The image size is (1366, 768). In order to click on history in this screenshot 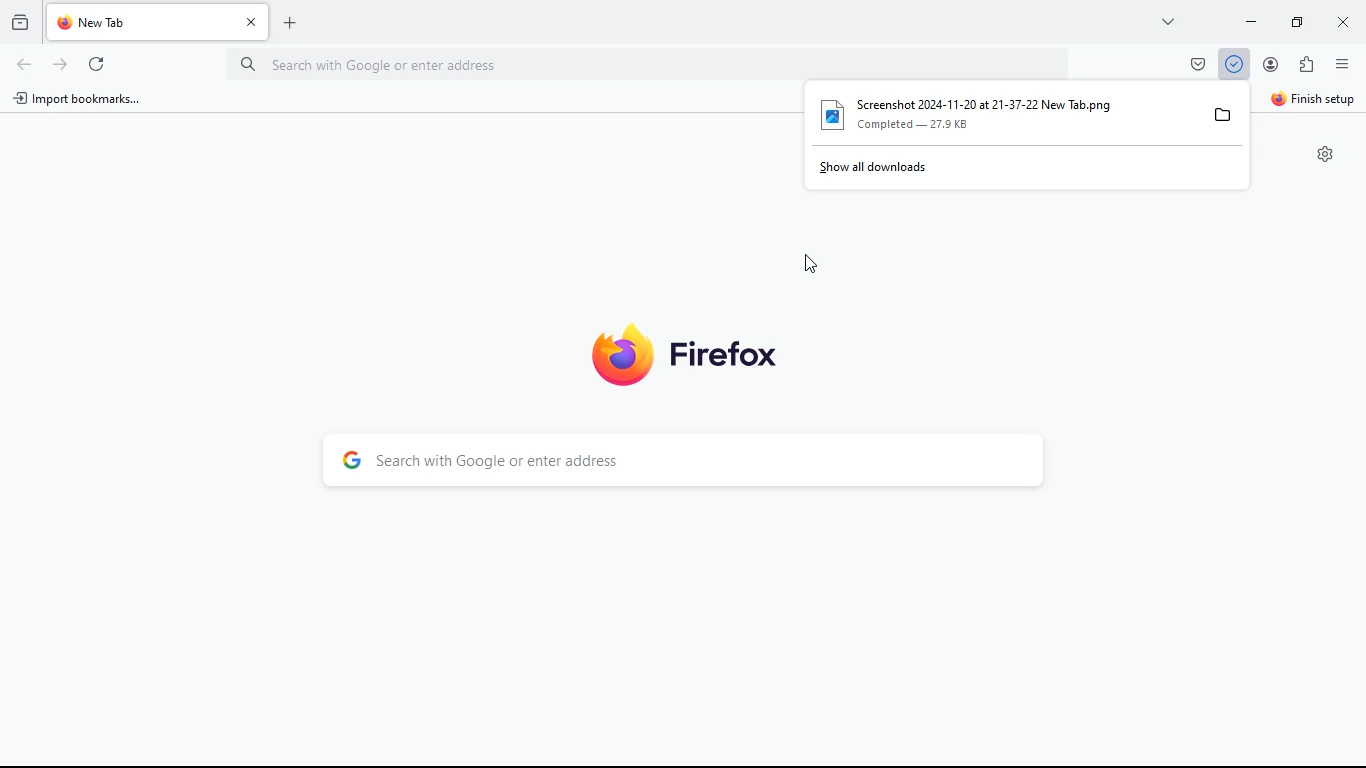, I will do `click(18, 20)`.